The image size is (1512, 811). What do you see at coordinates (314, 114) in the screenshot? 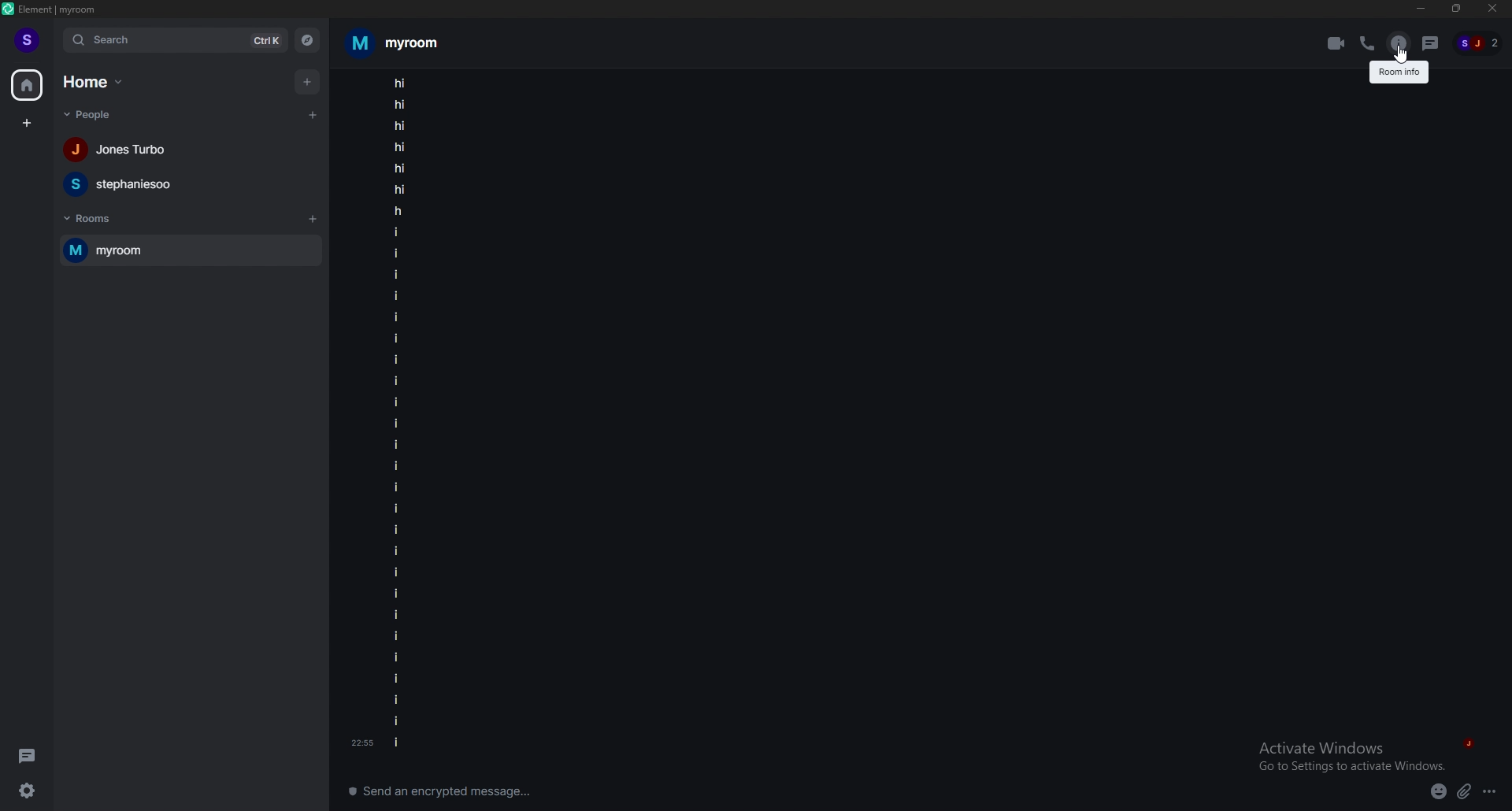
I see `start chat` at bounding box center [314, 114].